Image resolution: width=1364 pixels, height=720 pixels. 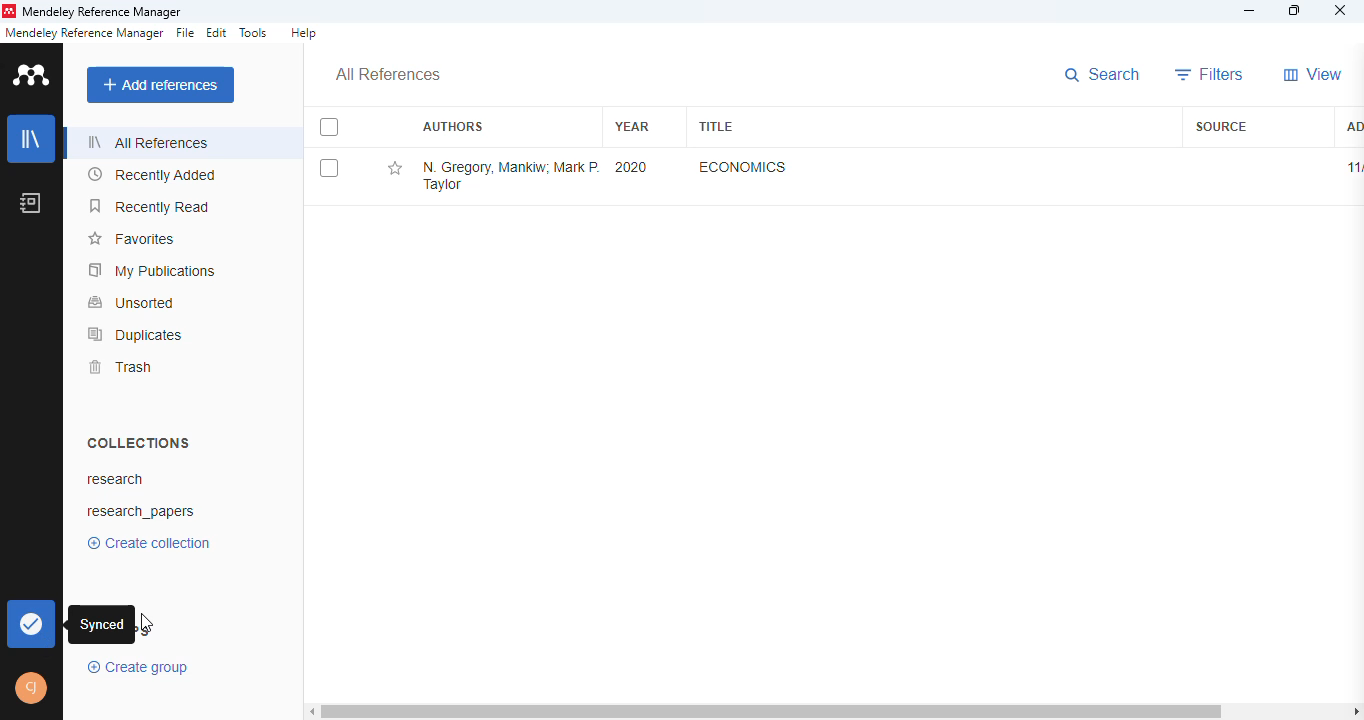 I want to click on unsorted, so click(x=133, y=303).